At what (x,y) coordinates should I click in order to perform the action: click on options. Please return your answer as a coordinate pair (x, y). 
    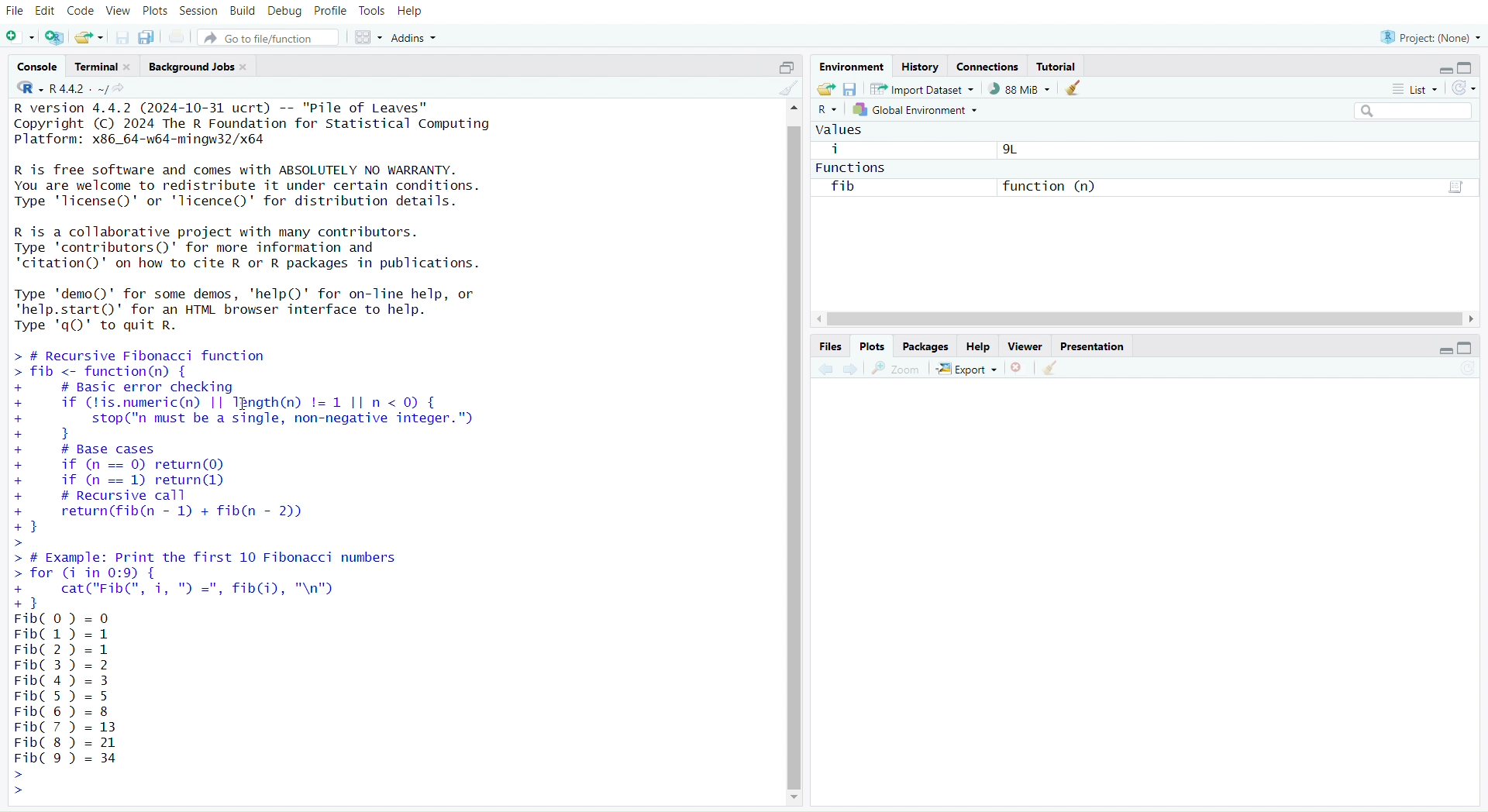
    Looking at the image, I should click on (1452, 188).